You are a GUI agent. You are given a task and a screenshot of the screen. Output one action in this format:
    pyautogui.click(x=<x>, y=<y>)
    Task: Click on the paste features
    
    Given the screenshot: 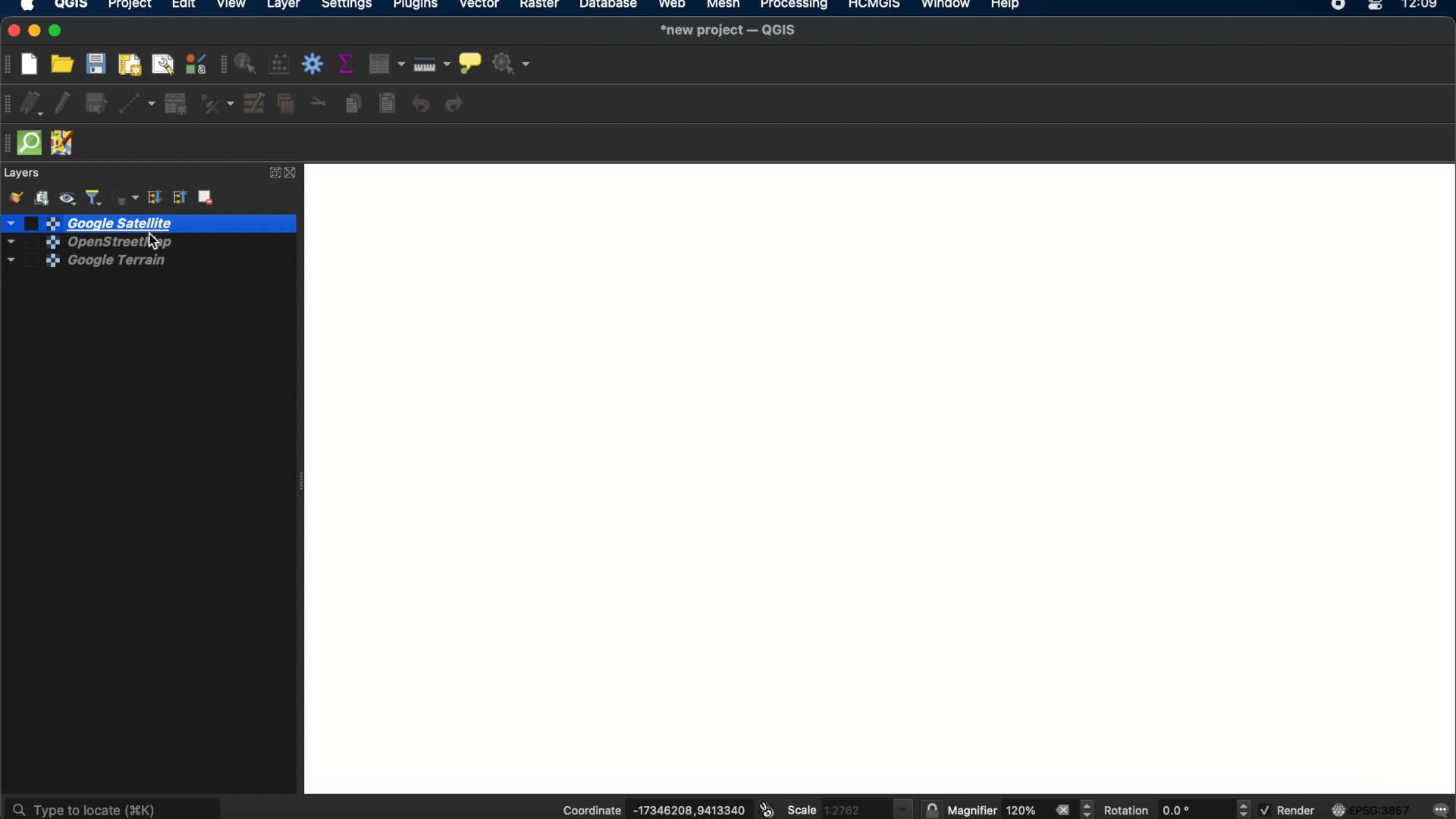 What is the action you would take?
    pyautogui.click(x=389, y=104)
    